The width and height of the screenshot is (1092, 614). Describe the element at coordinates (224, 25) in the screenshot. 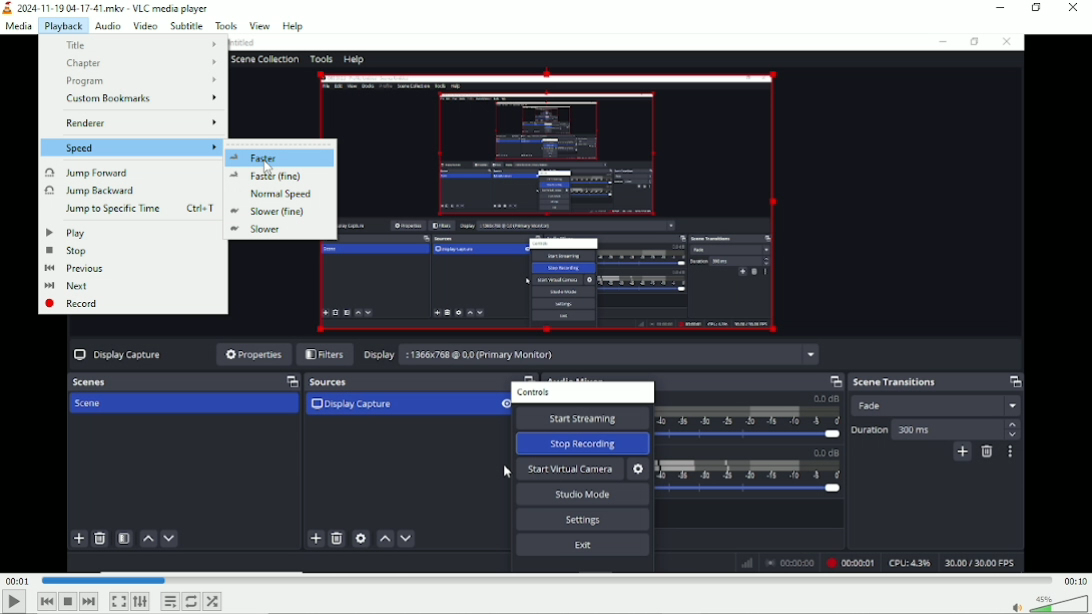

I see `tools` at that location.